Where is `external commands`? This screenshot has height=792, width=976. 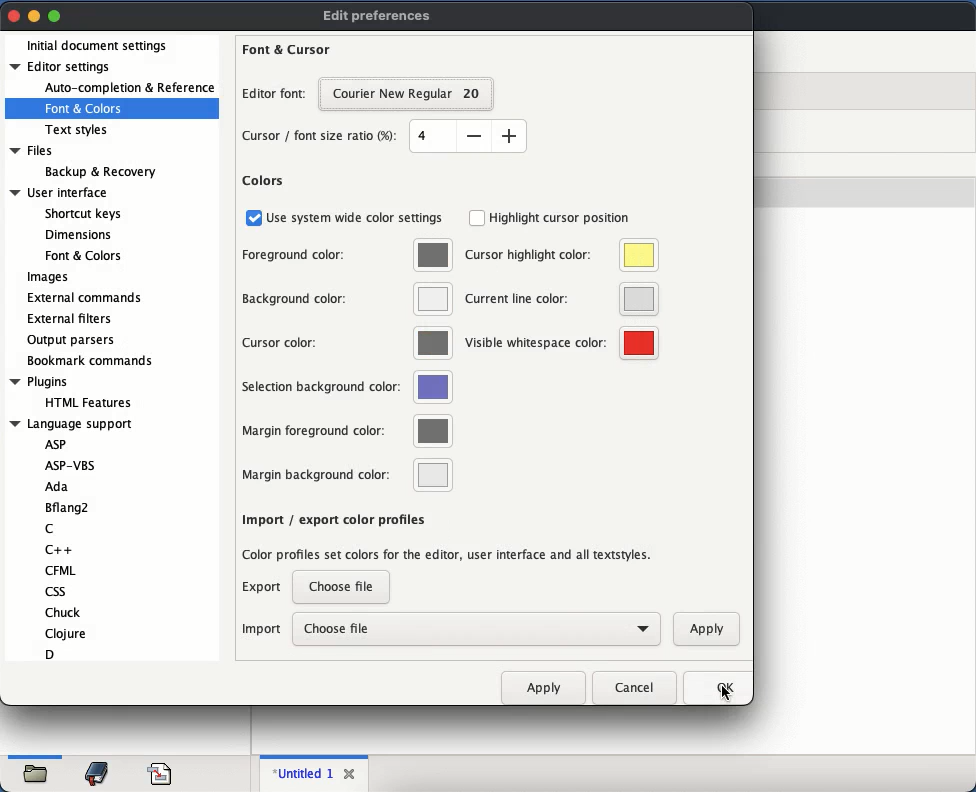 external commands is located at coordinates (88, 298).